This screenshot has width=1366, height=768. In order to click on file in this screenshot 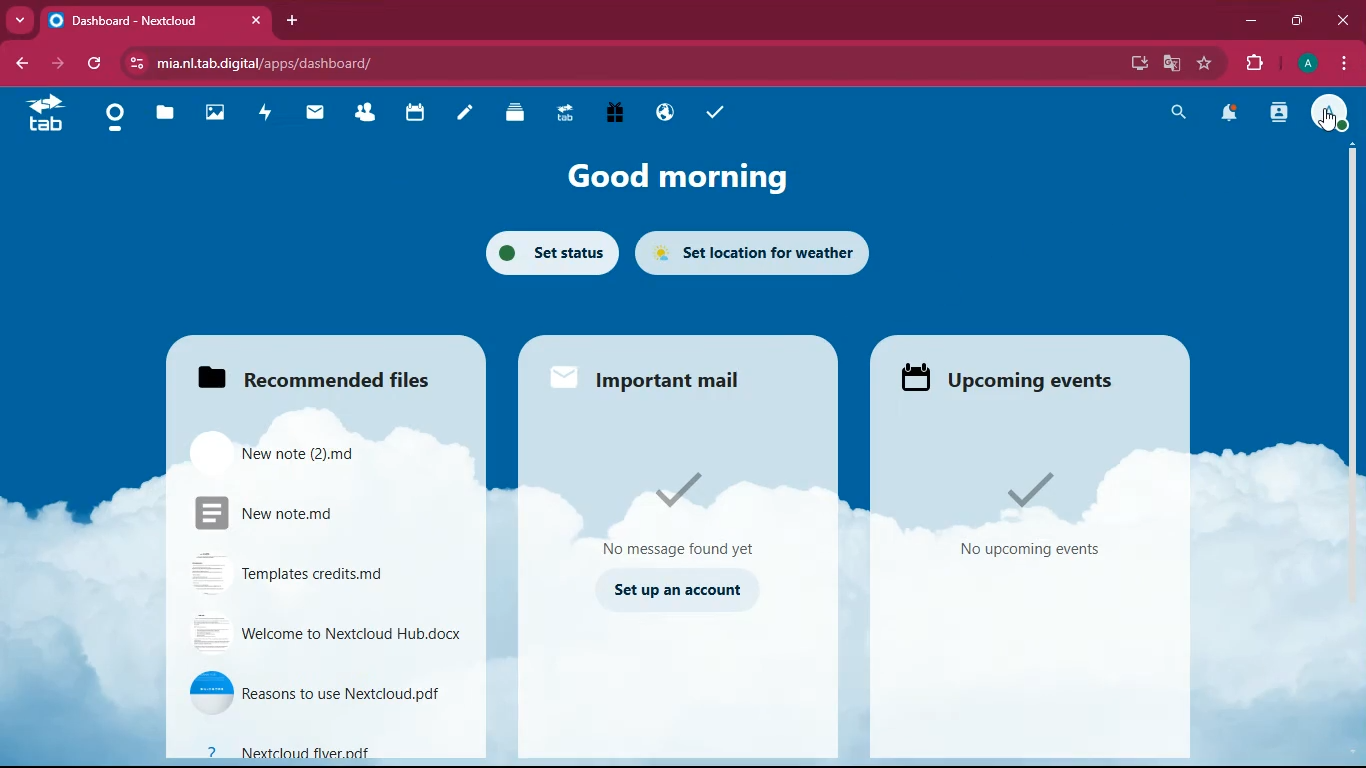, I will do `click(324, 574)`.